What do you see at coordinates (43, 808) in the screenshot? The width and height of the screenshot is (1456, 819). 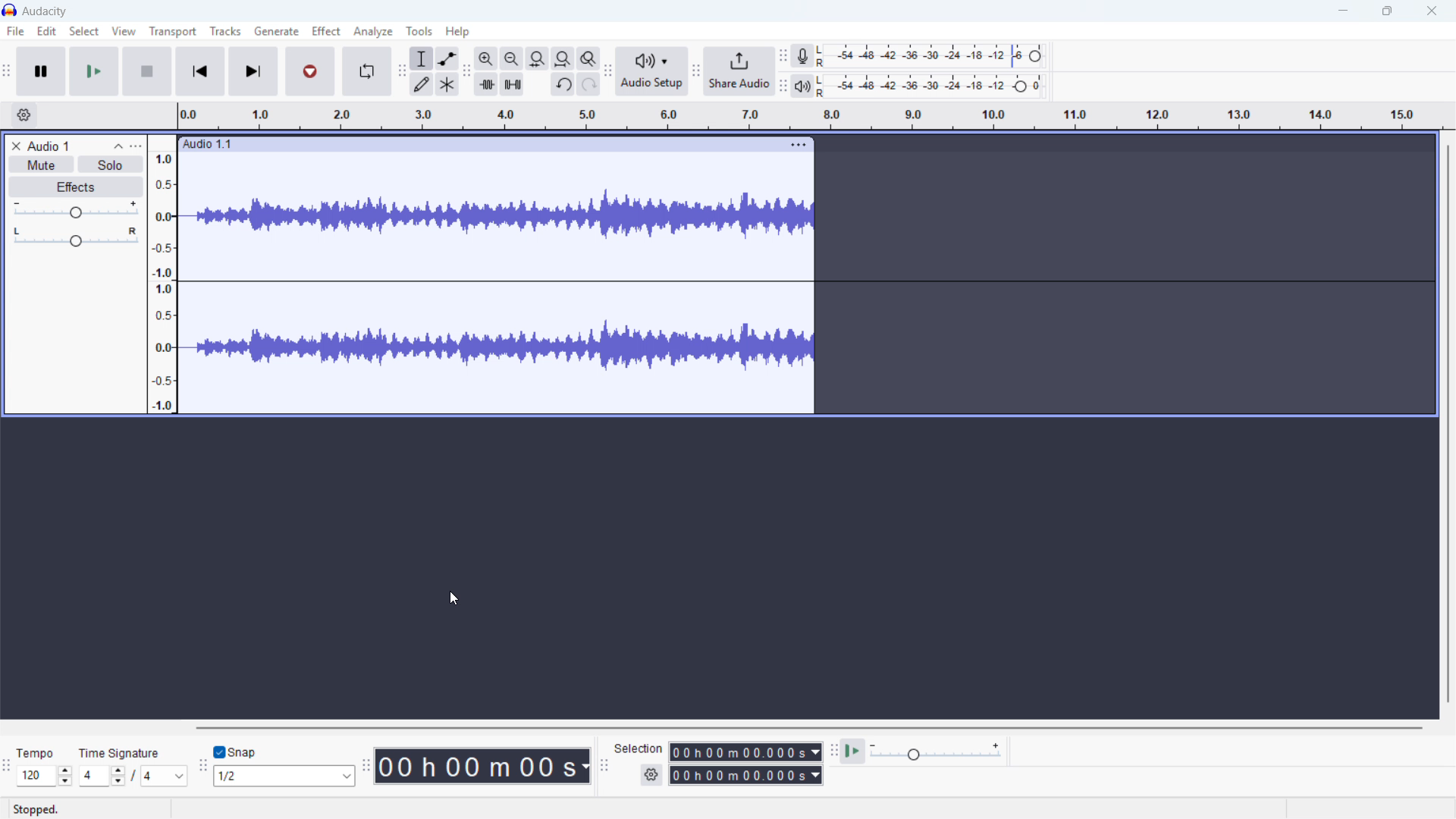 I see `stopped` at bounding box center [43, 808].